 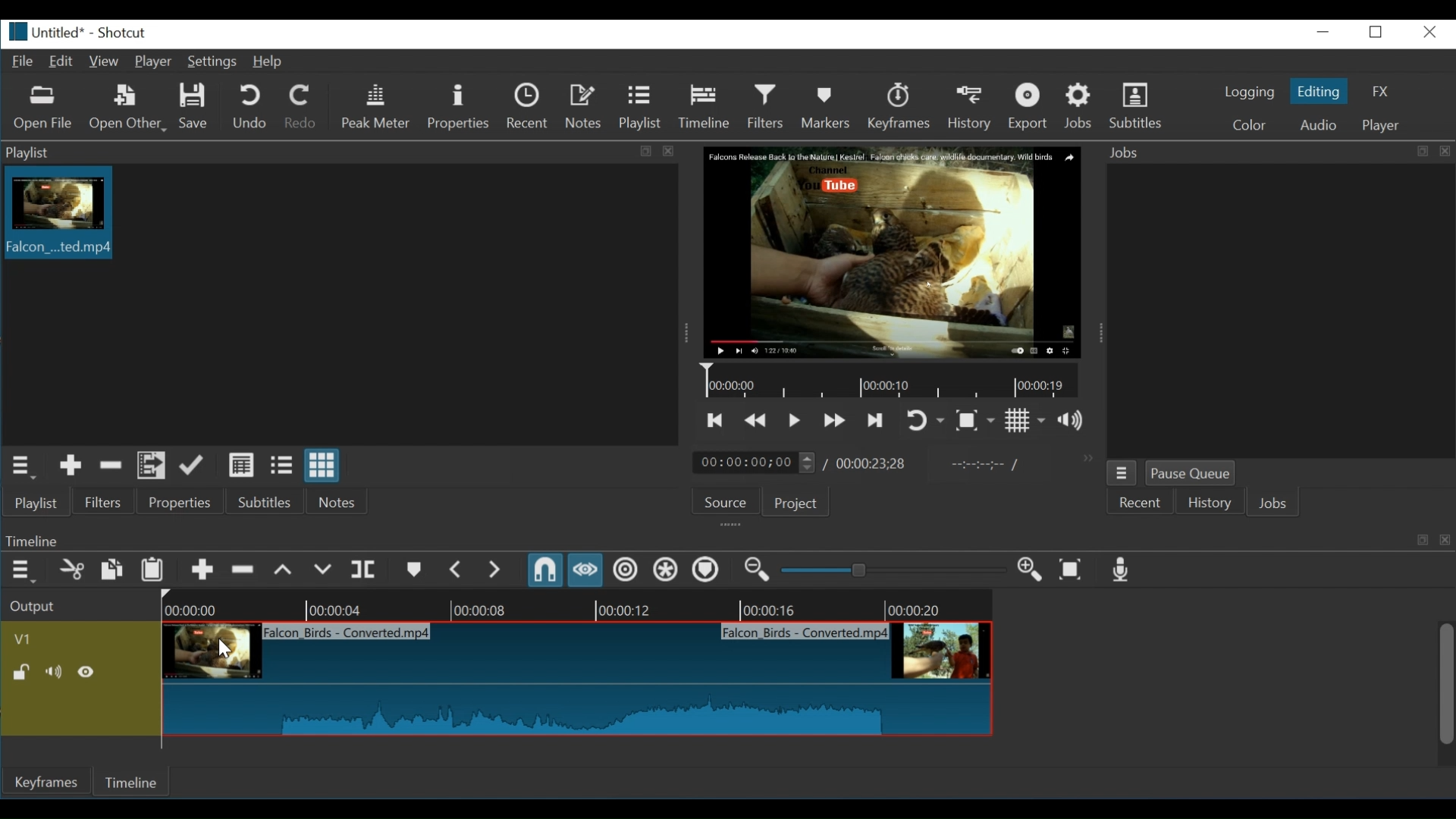 I want to click on Paste, so click(x=152, y=570).